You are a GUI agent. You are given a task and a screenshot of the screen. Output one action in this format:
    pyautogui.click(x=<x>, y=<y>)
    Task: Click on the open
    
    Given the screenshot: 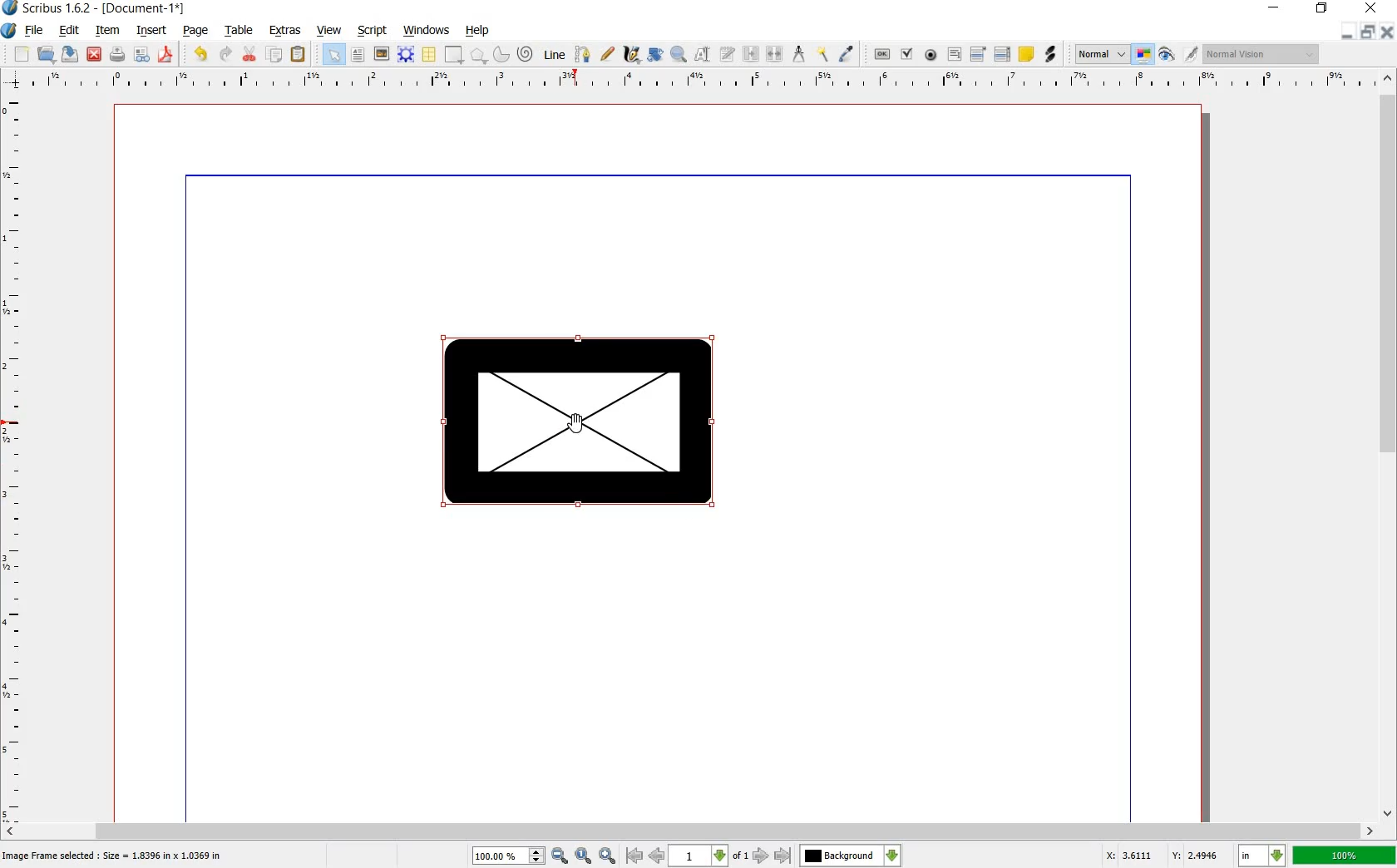 What is the action you would take?
    pyautogui.click(x=46, y=55)
    